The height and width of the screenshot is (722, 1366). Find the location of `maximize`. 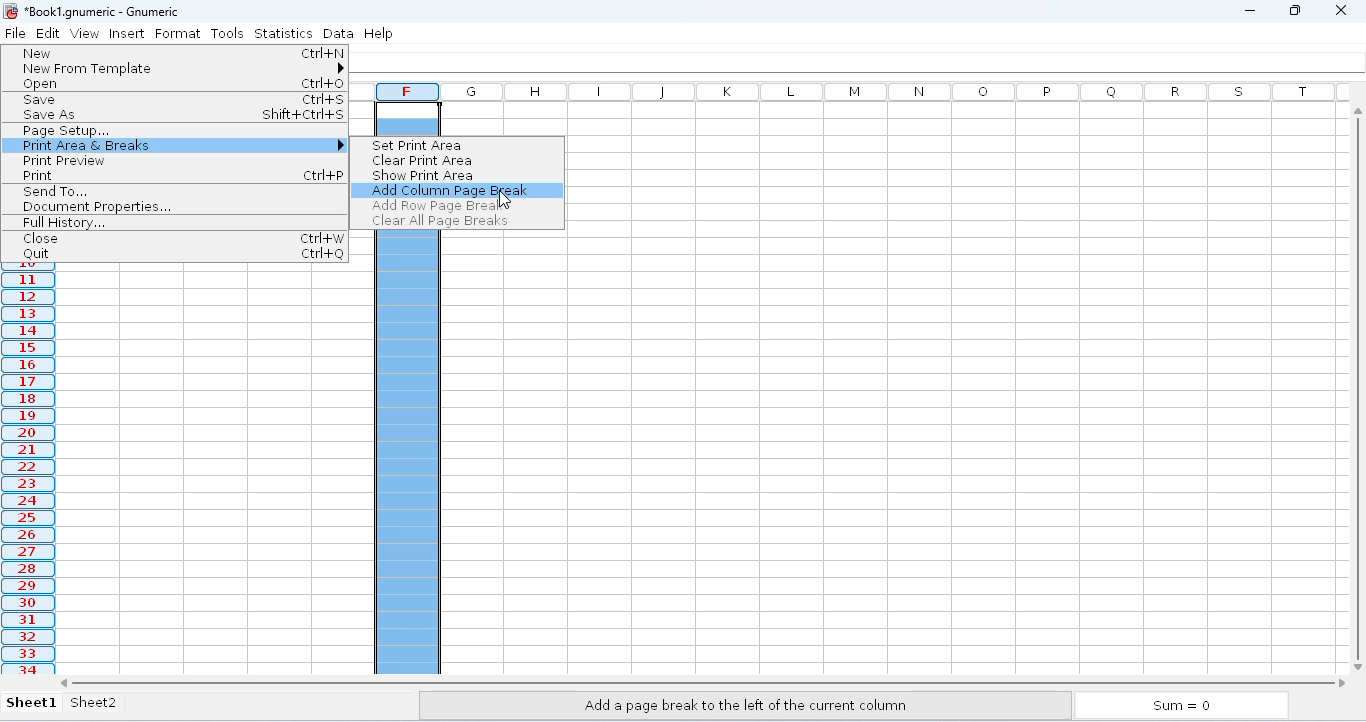

maximize is located at coordinates (1294, 10).